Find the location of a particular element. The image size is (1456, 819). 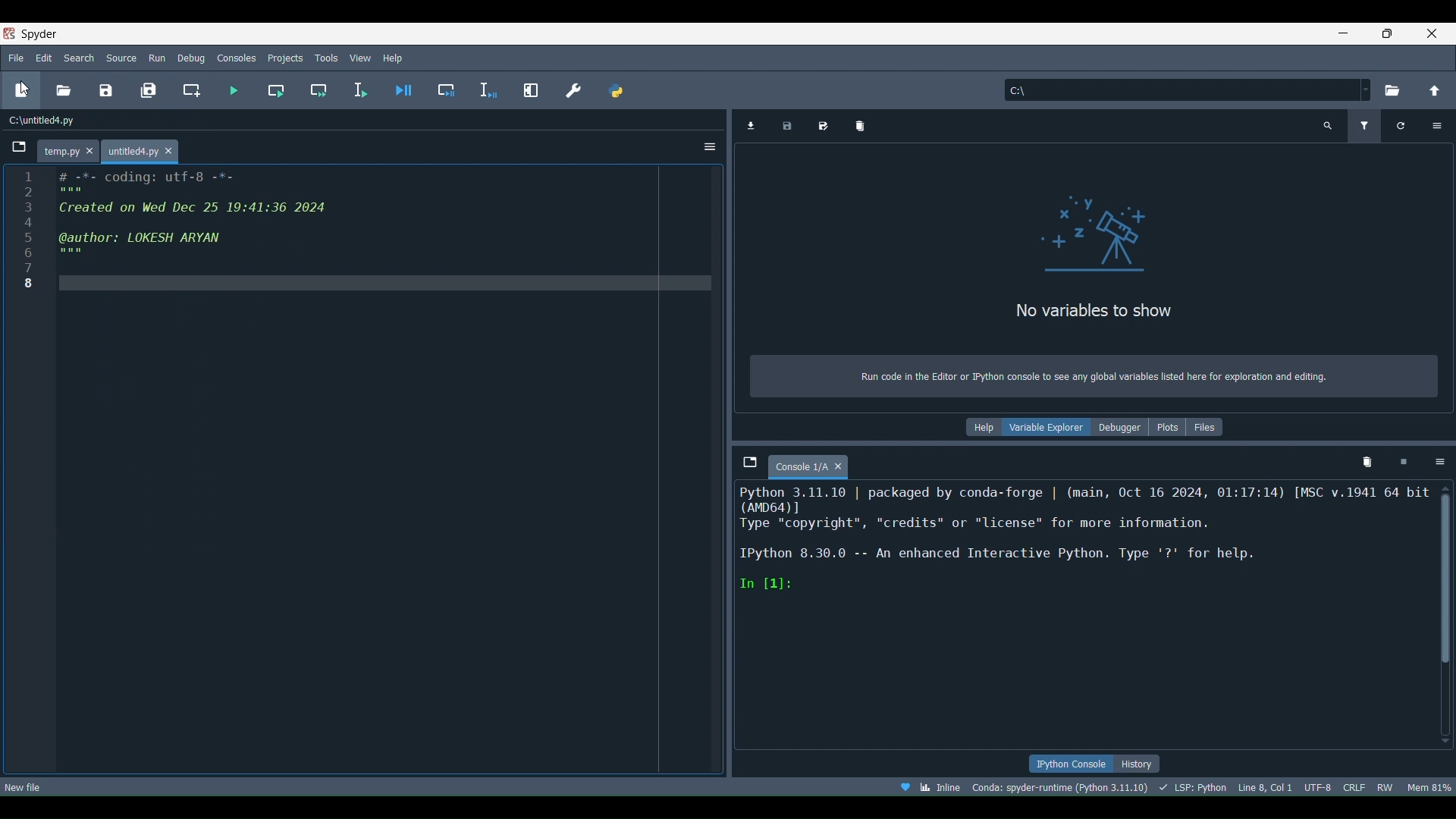

New file is located at coordinates (143, 149).